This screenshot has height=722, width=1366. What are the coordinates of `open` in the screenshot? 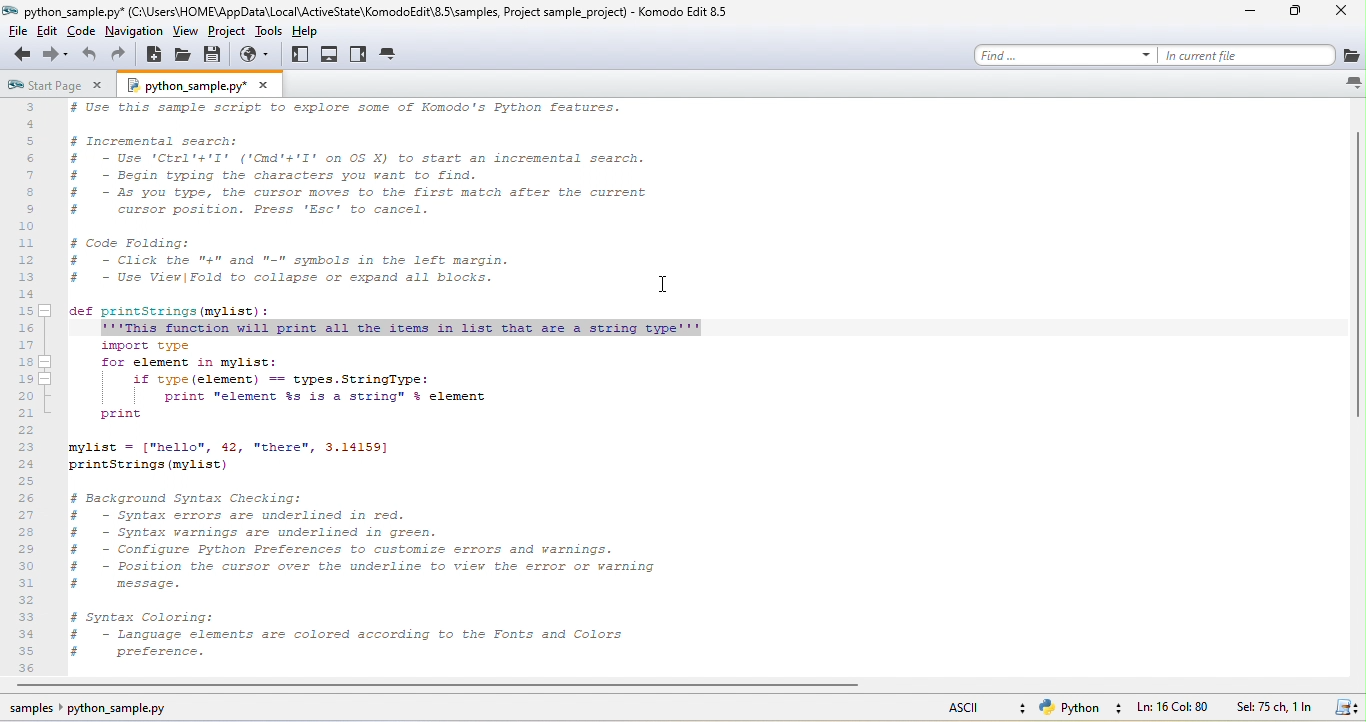 It's located at (184, 56).